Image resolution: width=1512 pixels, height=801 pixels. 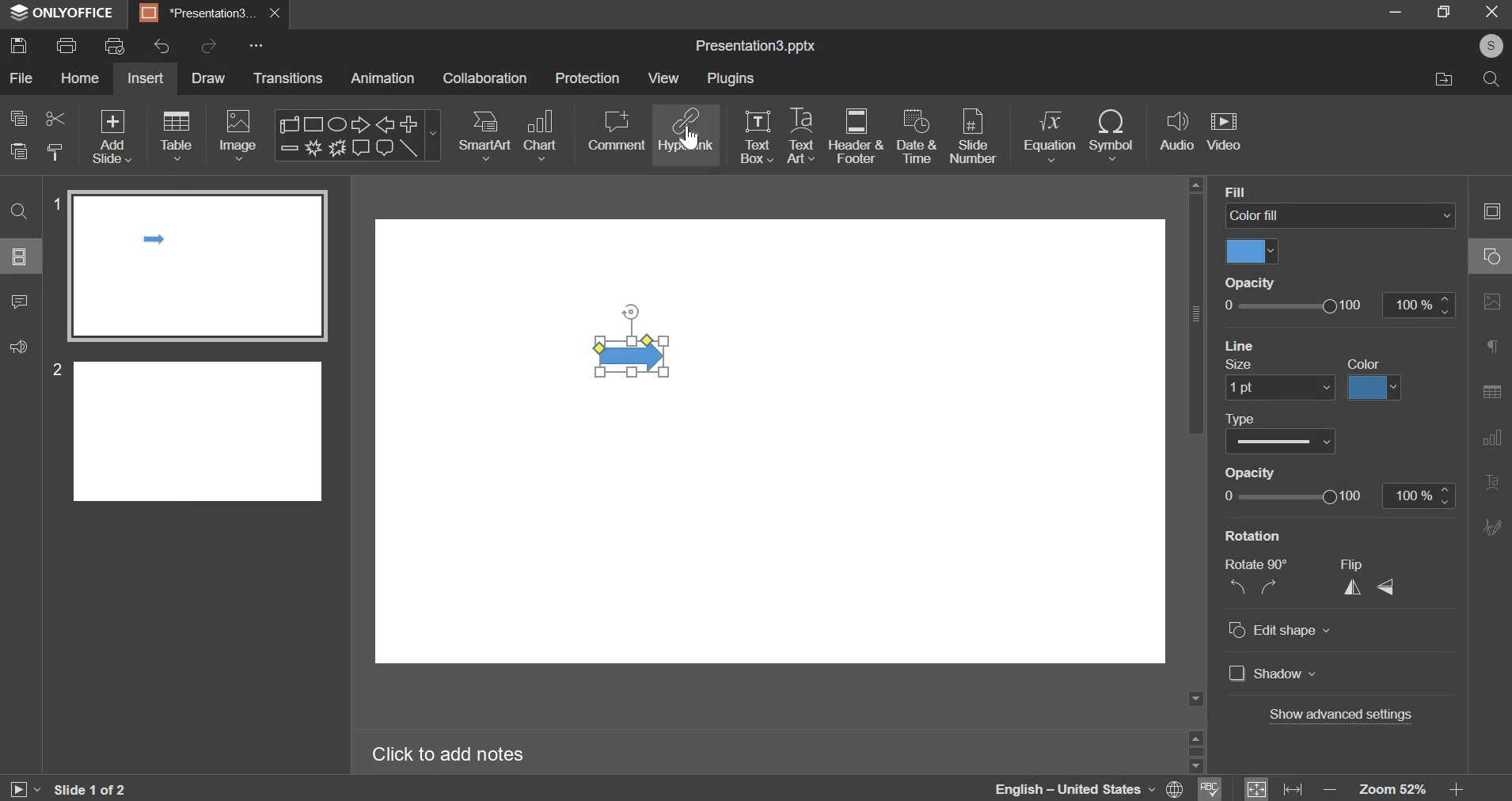 I want to click on app name, so click(x=63, y=16).